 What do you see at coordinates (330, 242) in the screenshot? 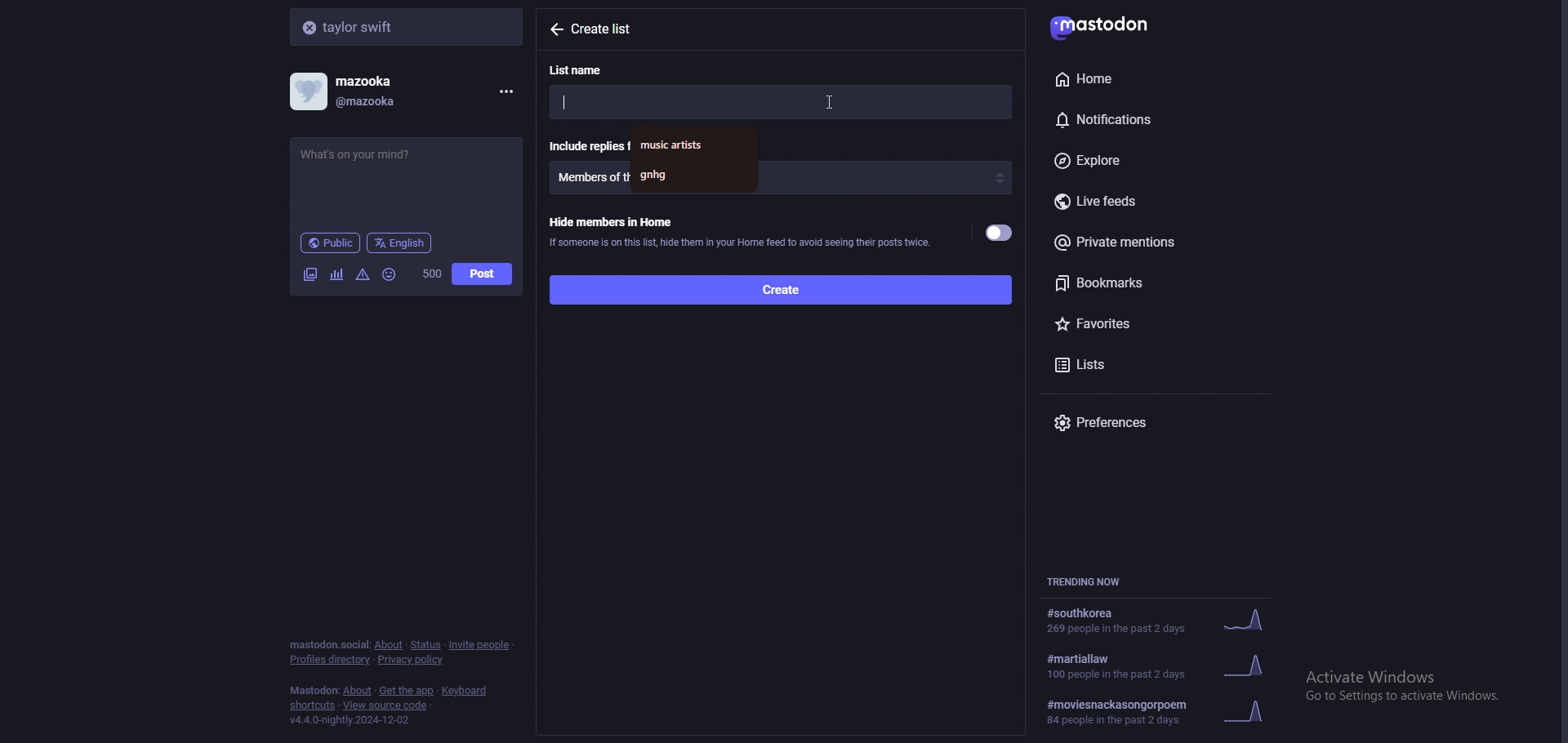
I see `audience` at bounding box center [330, 242].